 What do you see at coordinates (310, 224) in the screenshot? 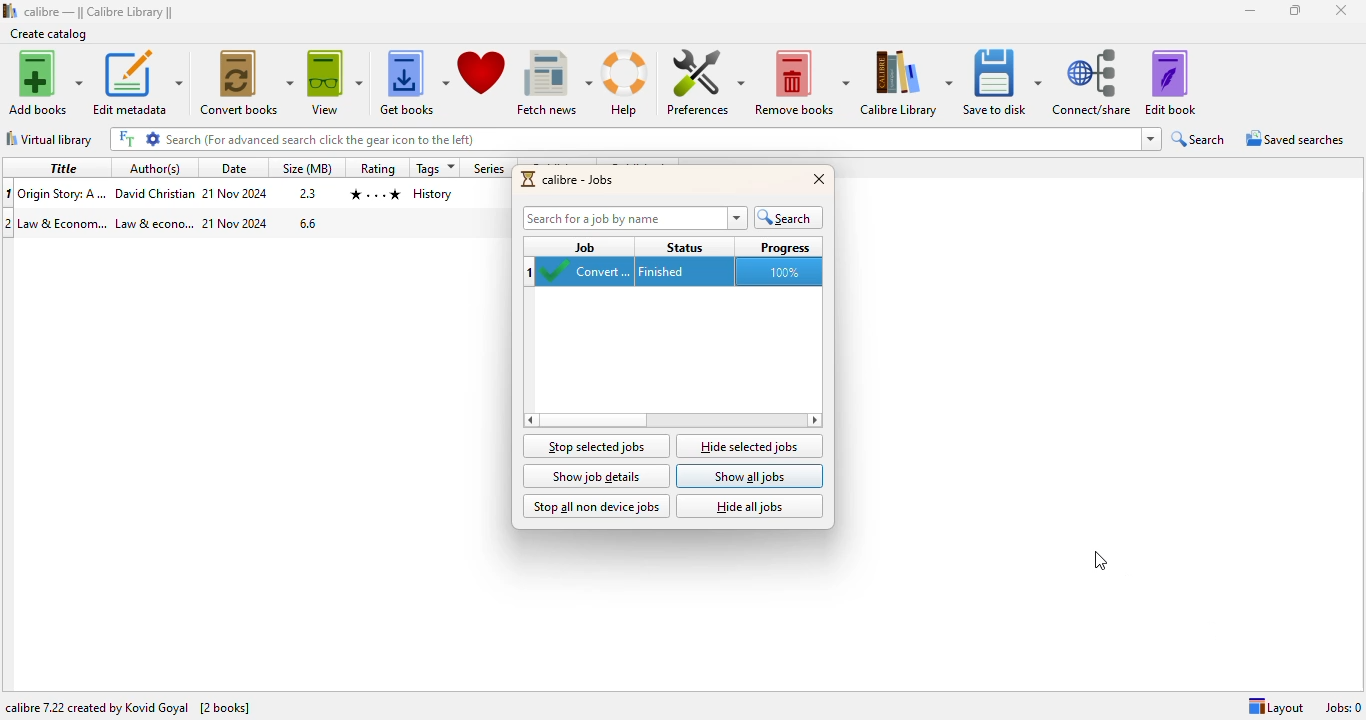
I see `6.6mbs` at bounding box center [310, 224].